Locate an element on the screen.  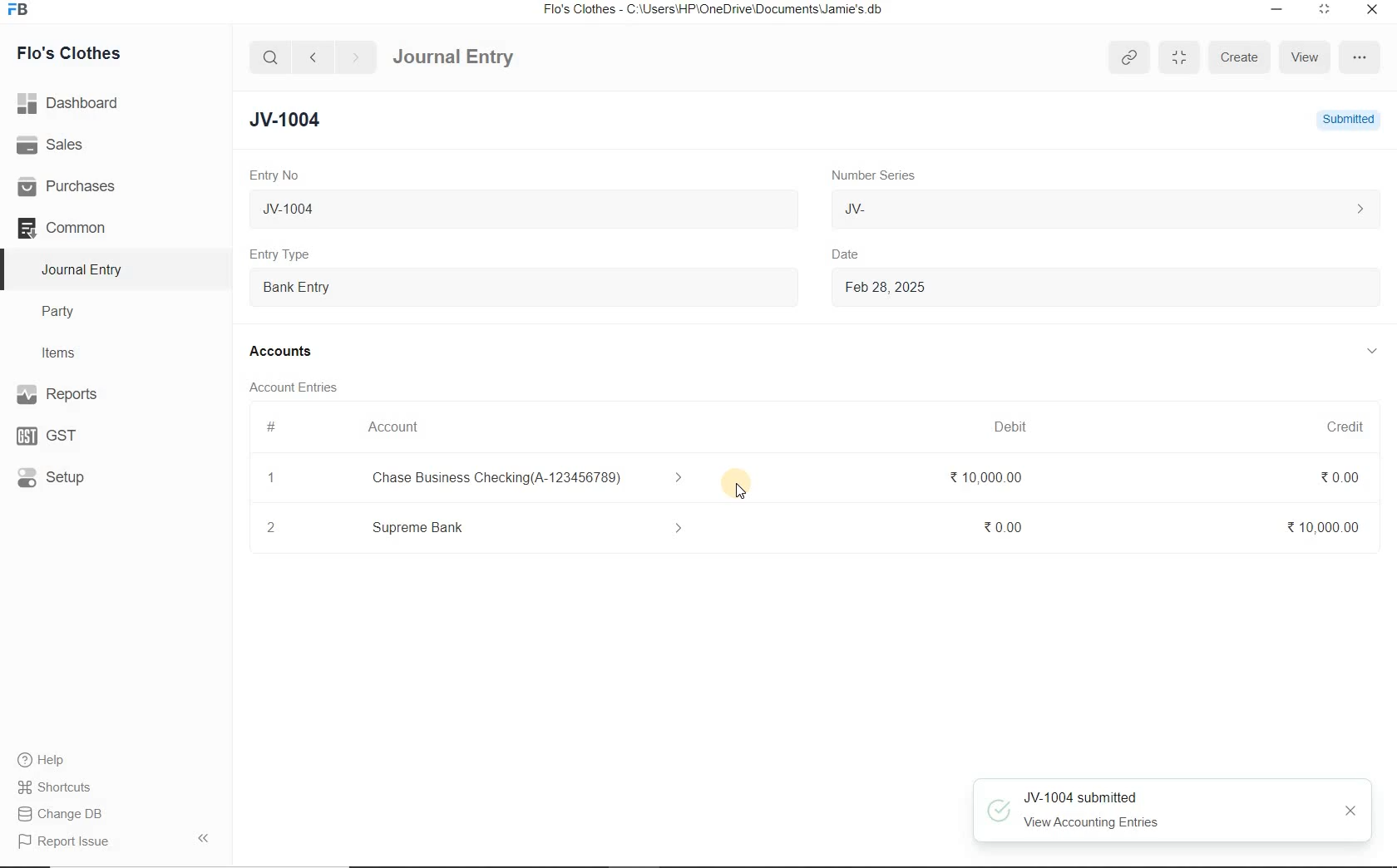
Number Series is located at coordinates (861, 175).